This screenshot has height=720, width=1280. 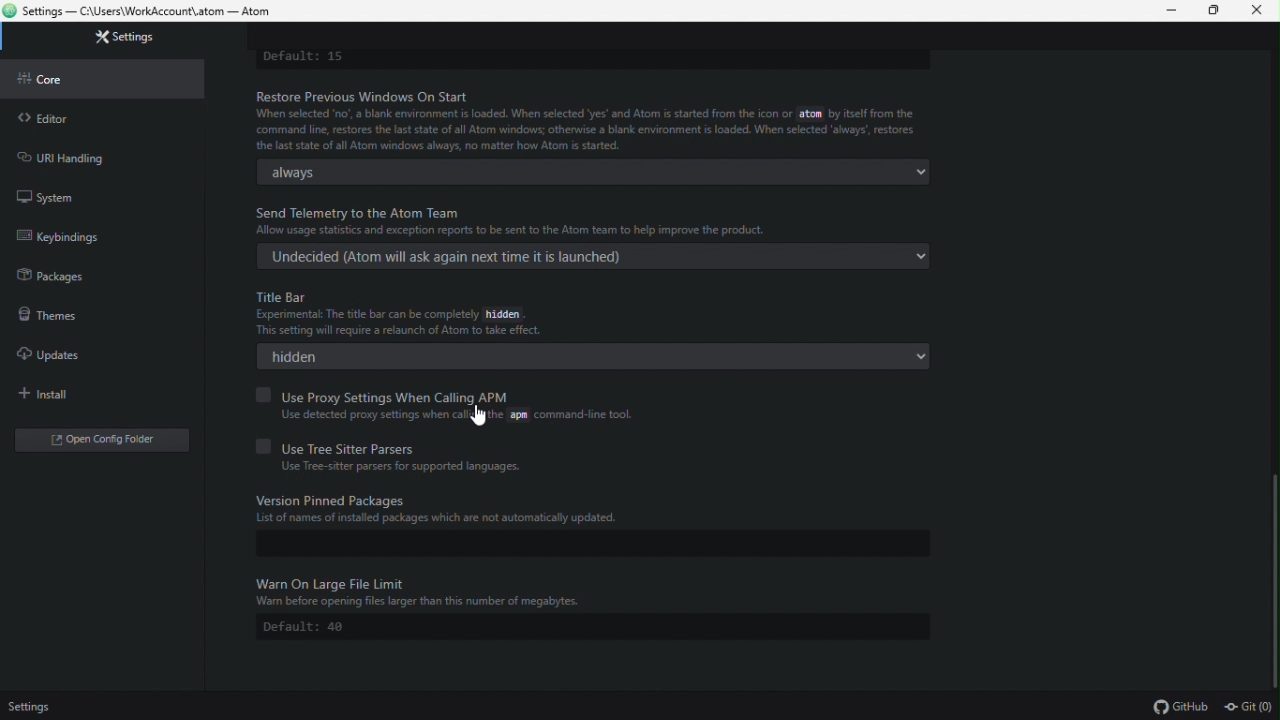 I want to click on open config editor, so click(x=101, y=442).